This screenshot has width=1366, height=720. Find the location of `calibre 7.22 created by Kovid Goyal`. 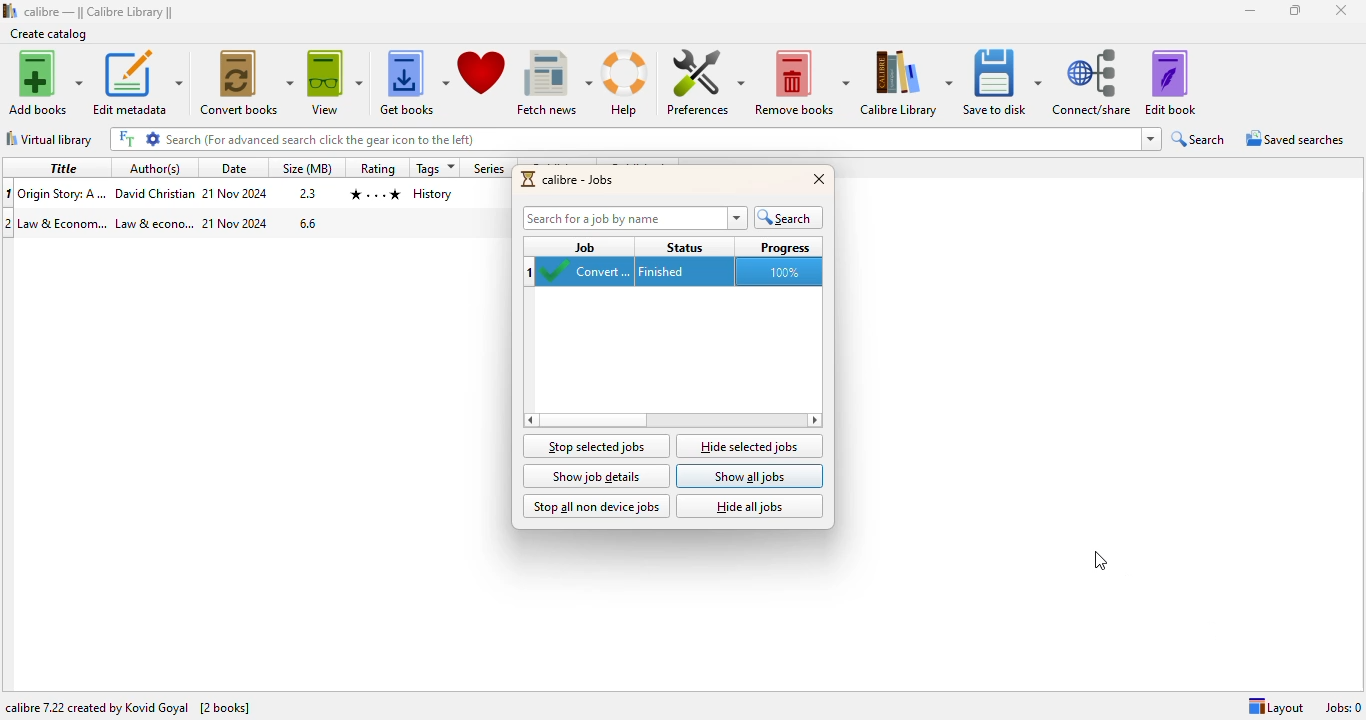

calibre 7.22 created by Kovid Goyal is located at coordinates (95, 708).